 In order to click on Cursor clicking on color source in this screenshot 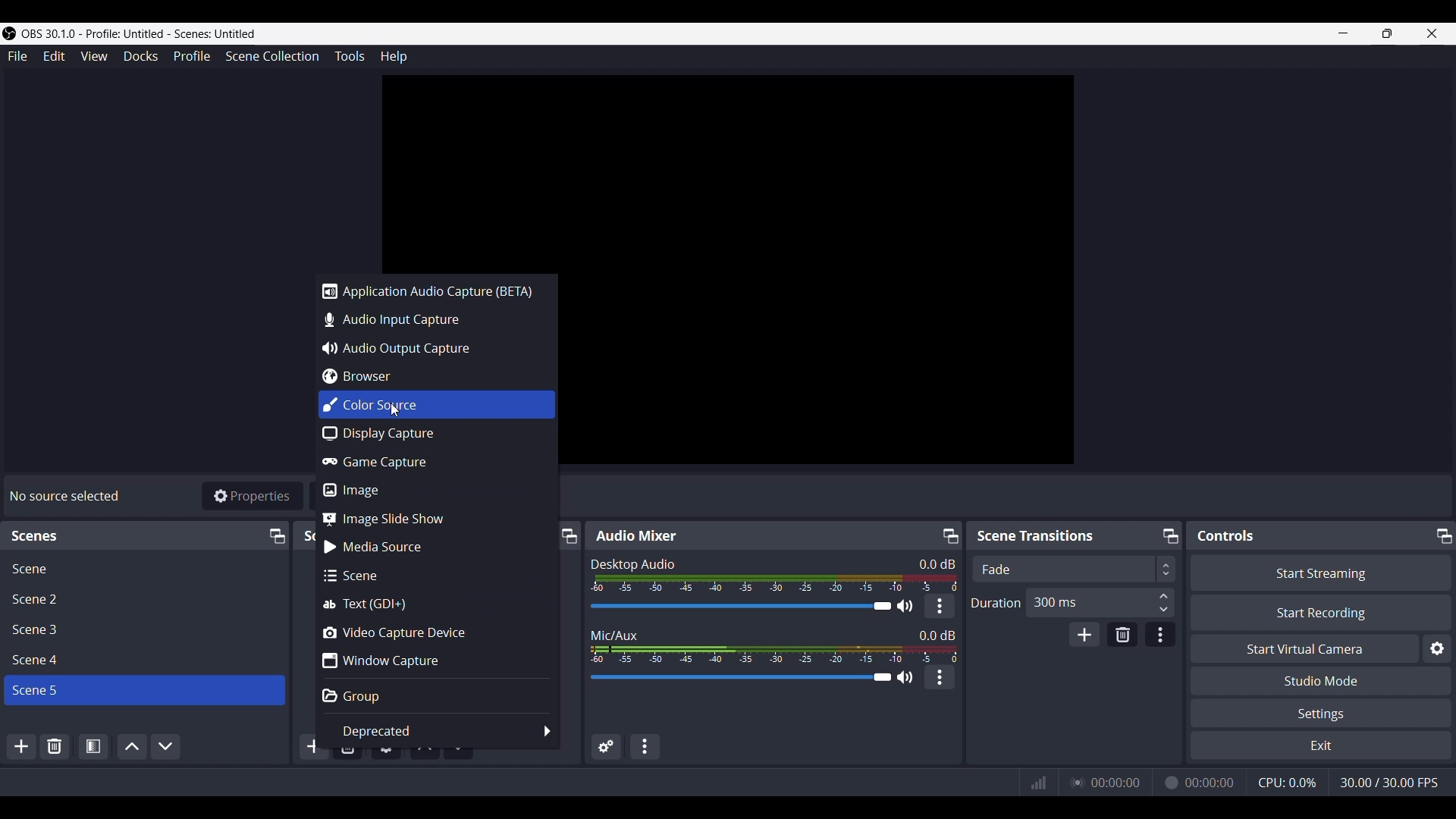, I will do `click(394, 409)`.